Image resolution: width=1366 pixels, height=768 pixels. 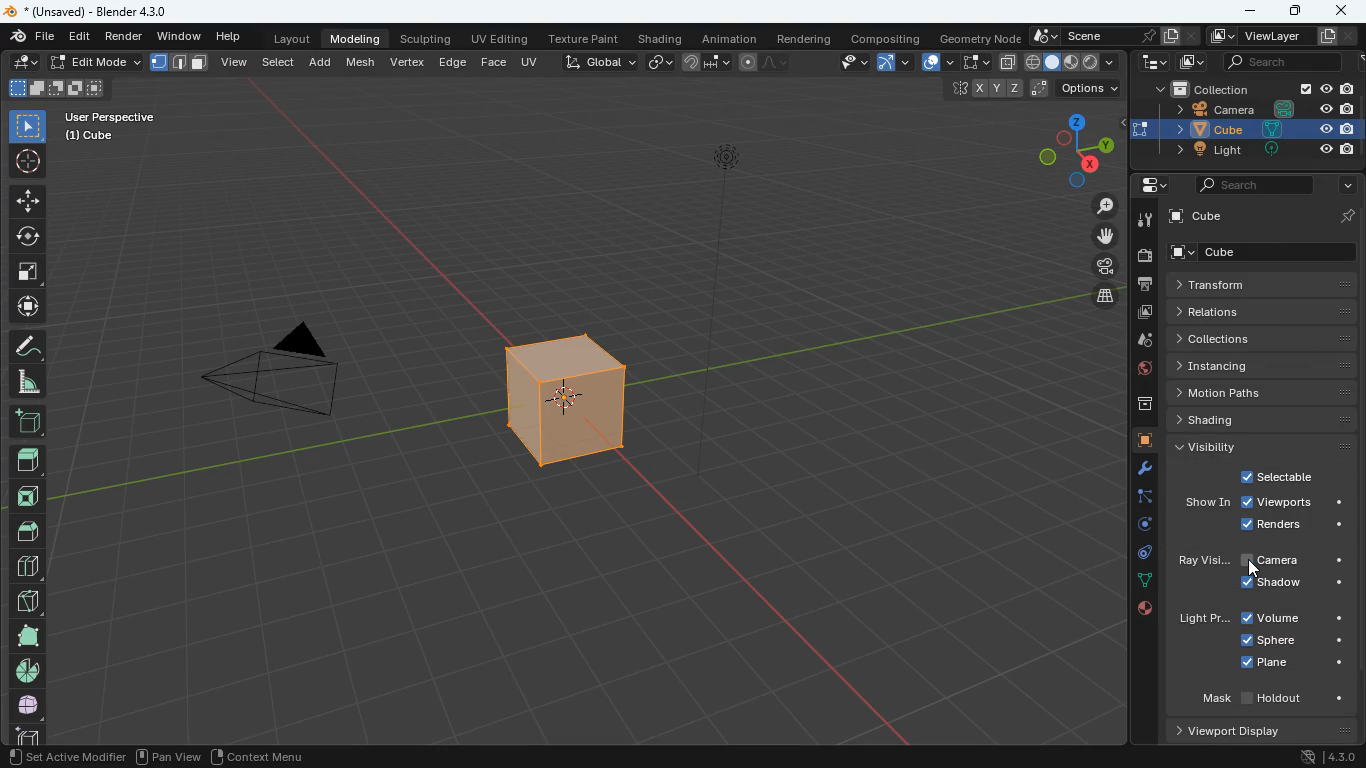 I want to click on ray vision, so click(x=1201, y=561).